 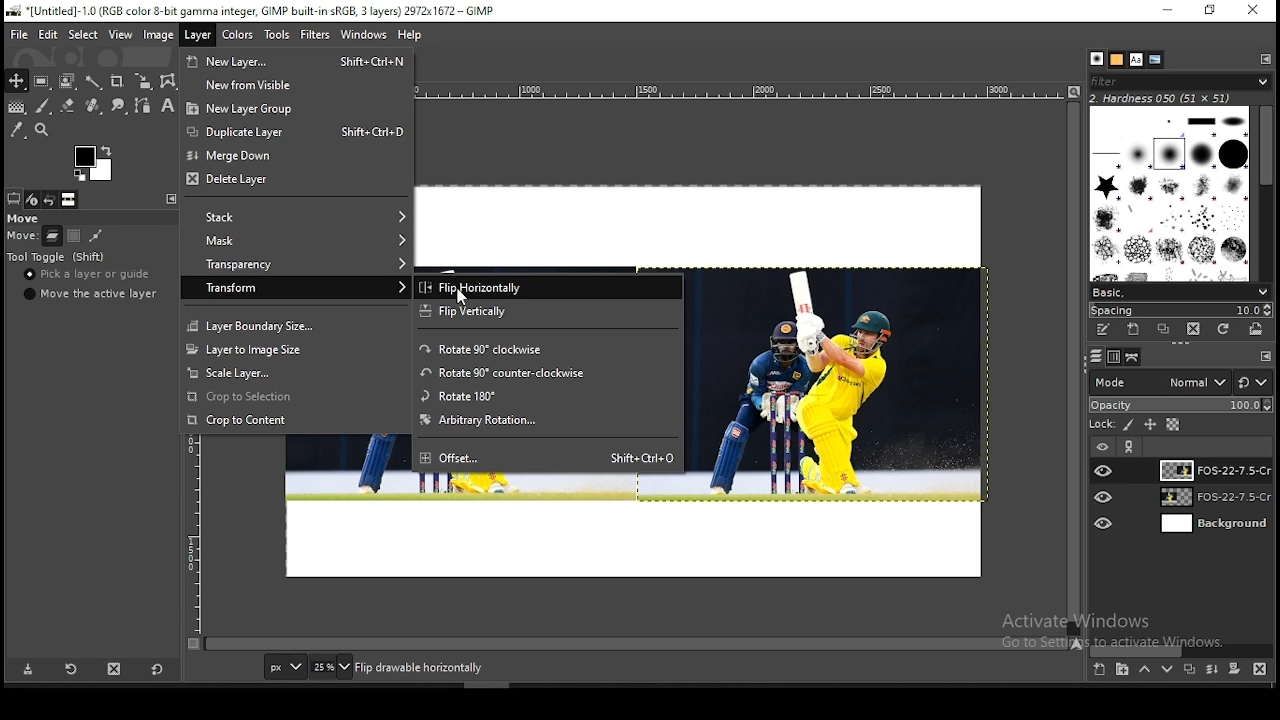 What do you see at coordinates (89, 276) in the screenshot?
I see `pick a layer or guide` at bounding box center [89, 276].